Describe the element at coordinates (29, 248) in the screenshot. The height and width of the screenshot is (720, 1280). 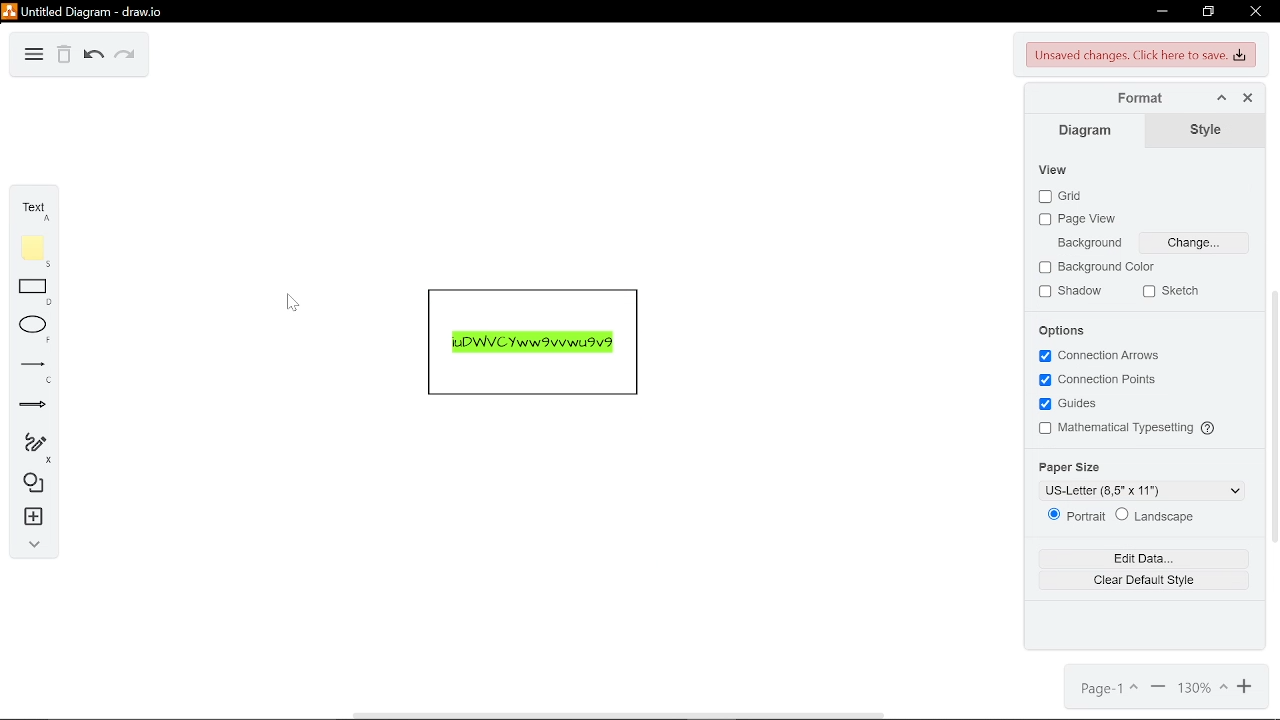
I see `note` at that location.